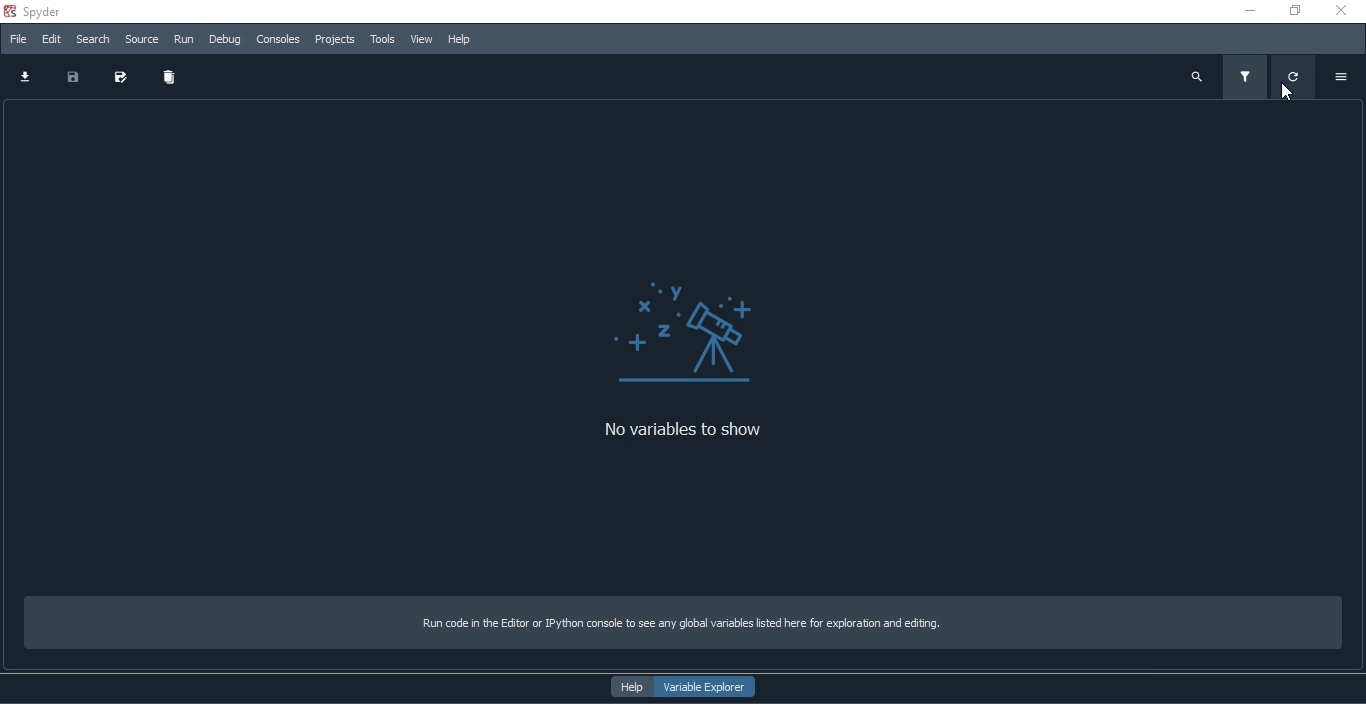 This screenshot has height=704, width=1366. What do you see at coordinates (1296, 11) in the screenshot?
I see `restore` at bounding box center [1296, 11].